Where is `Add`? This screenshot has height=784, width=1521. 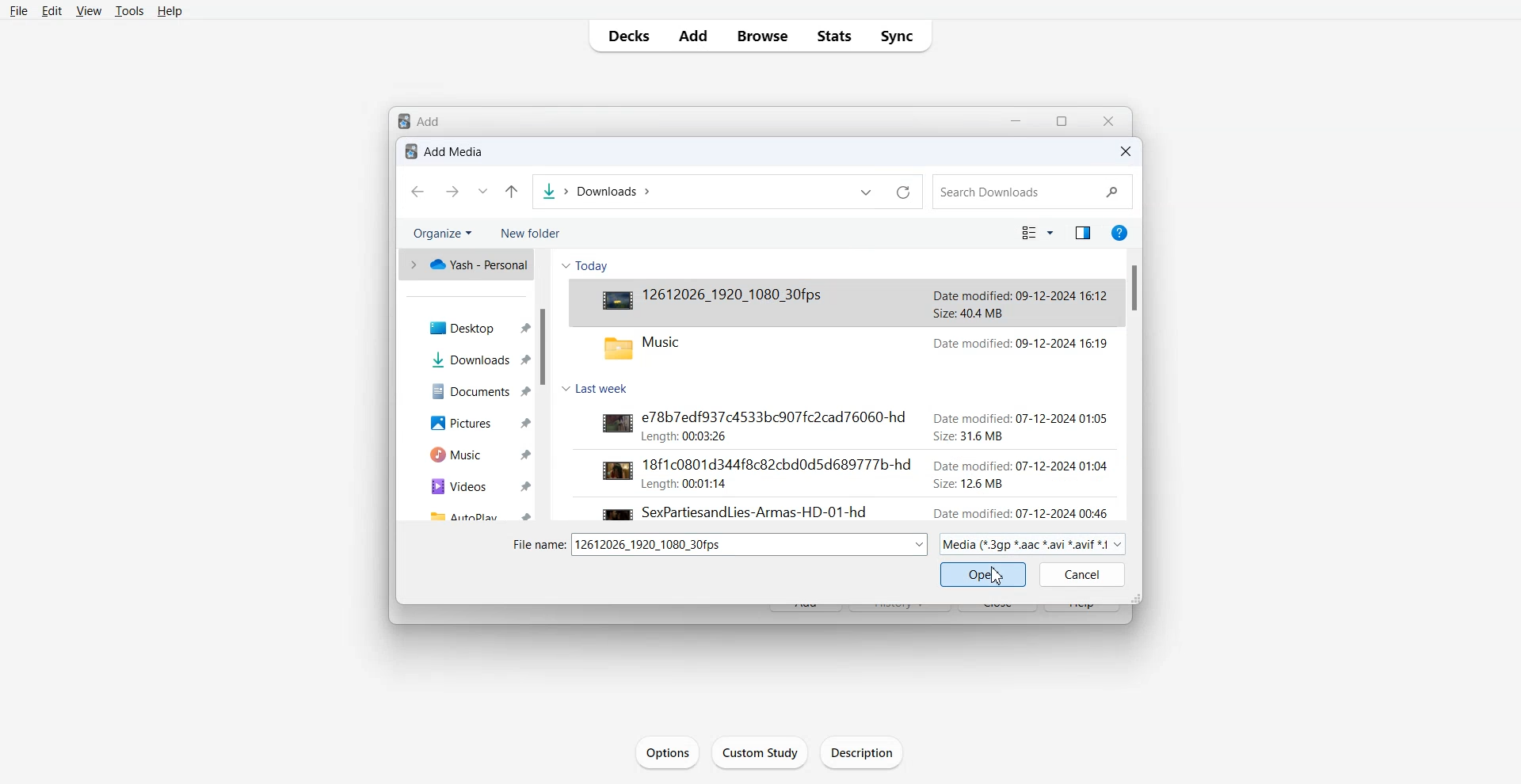 Add is located at coordinates (436, 123).